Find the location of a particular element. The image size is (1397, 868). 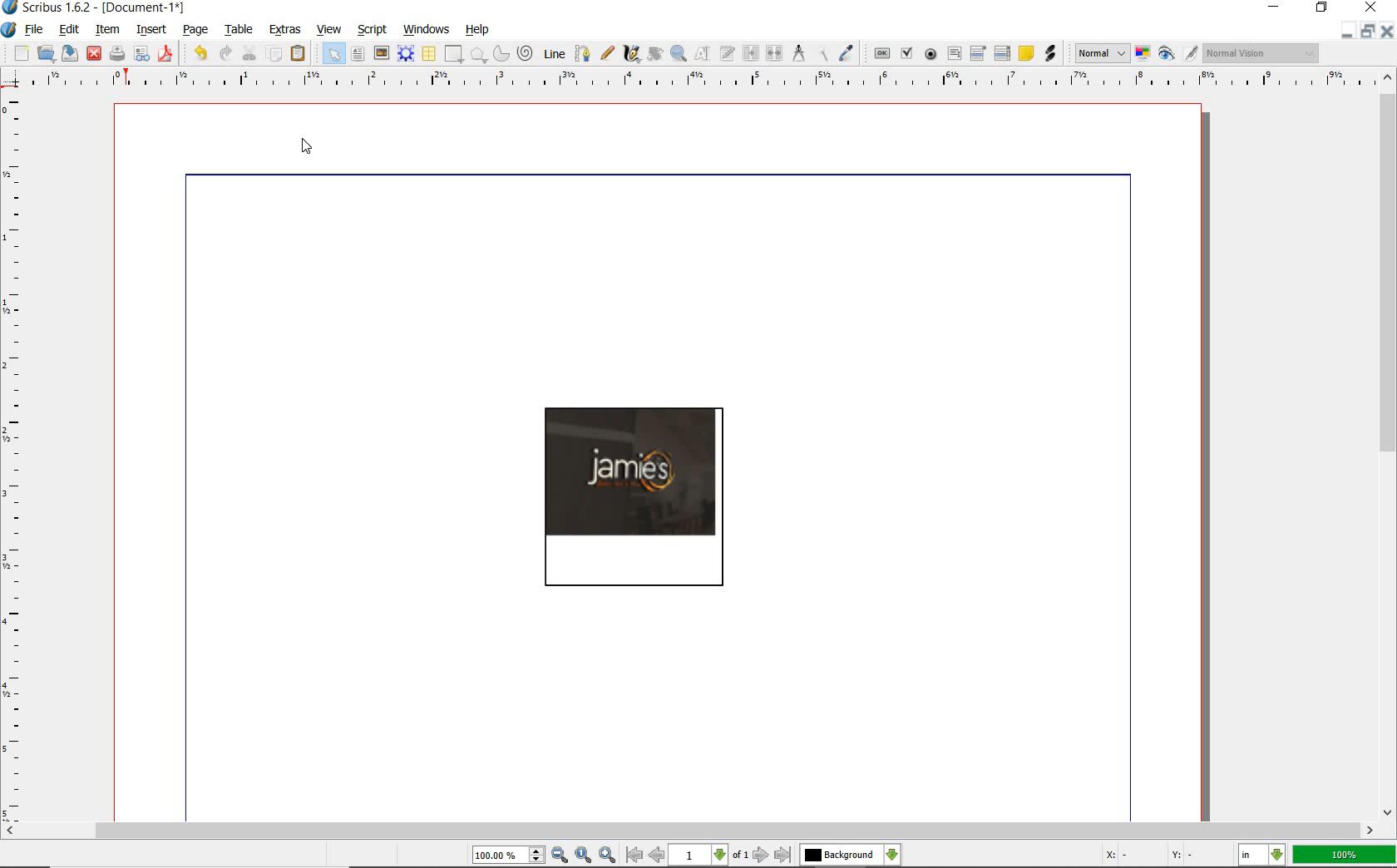

zoom in or zoom out is located at coordinates (679, 53).